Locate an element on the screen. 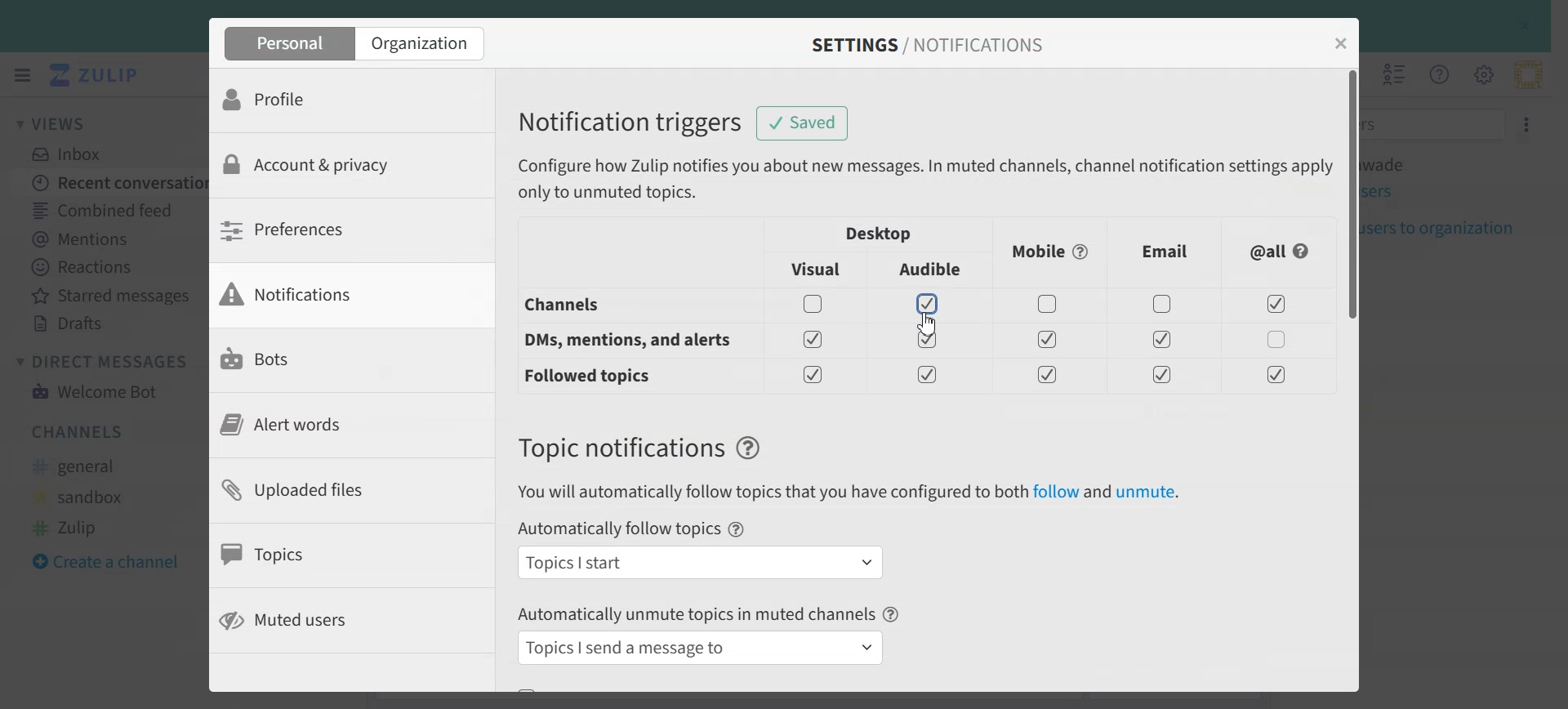 This screenshot has height=709, width=1568. Drafts is located at coordinates (109, 323).